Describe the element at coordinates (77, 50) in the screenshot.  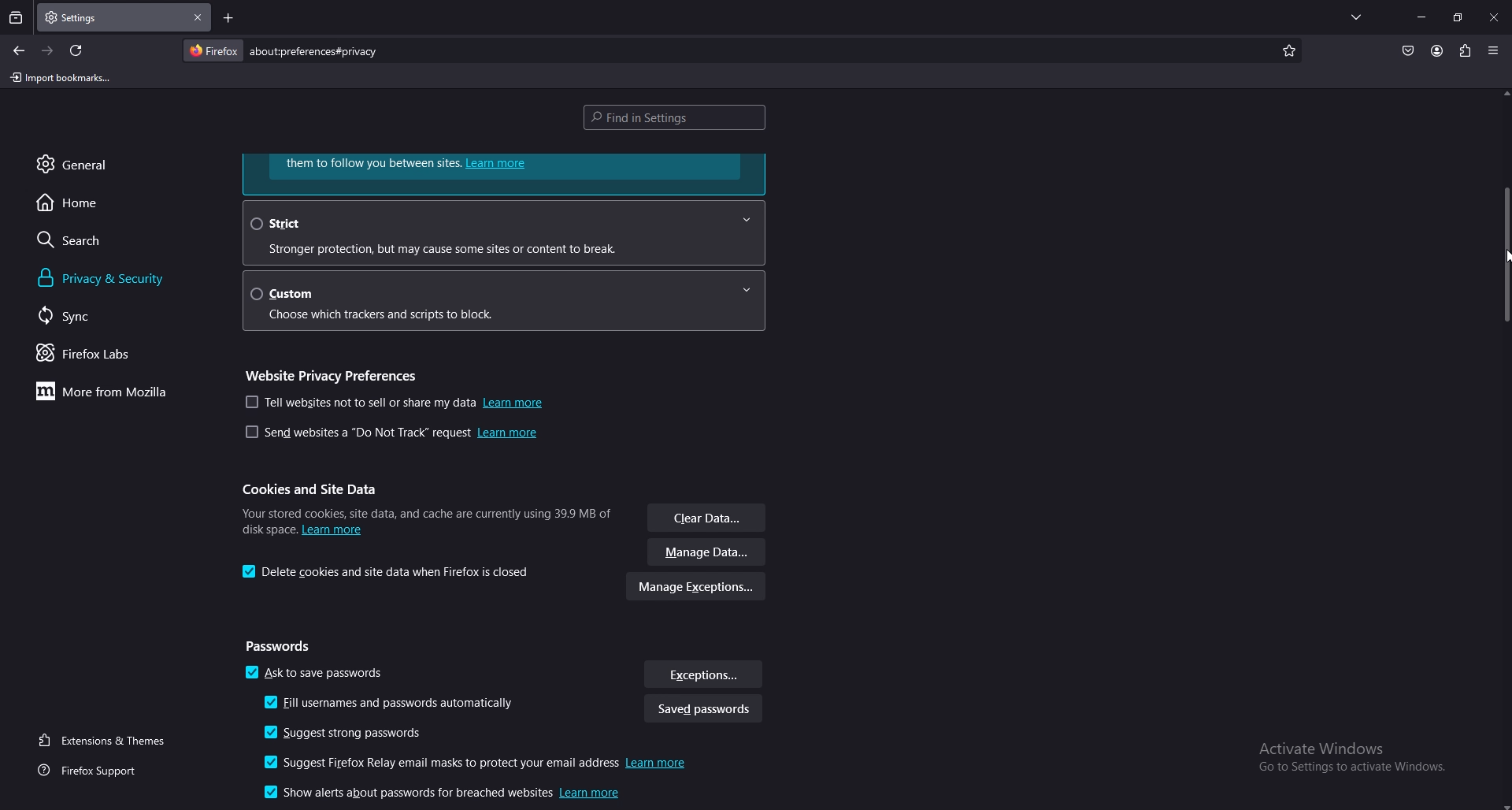
I see `refresh` at that location.